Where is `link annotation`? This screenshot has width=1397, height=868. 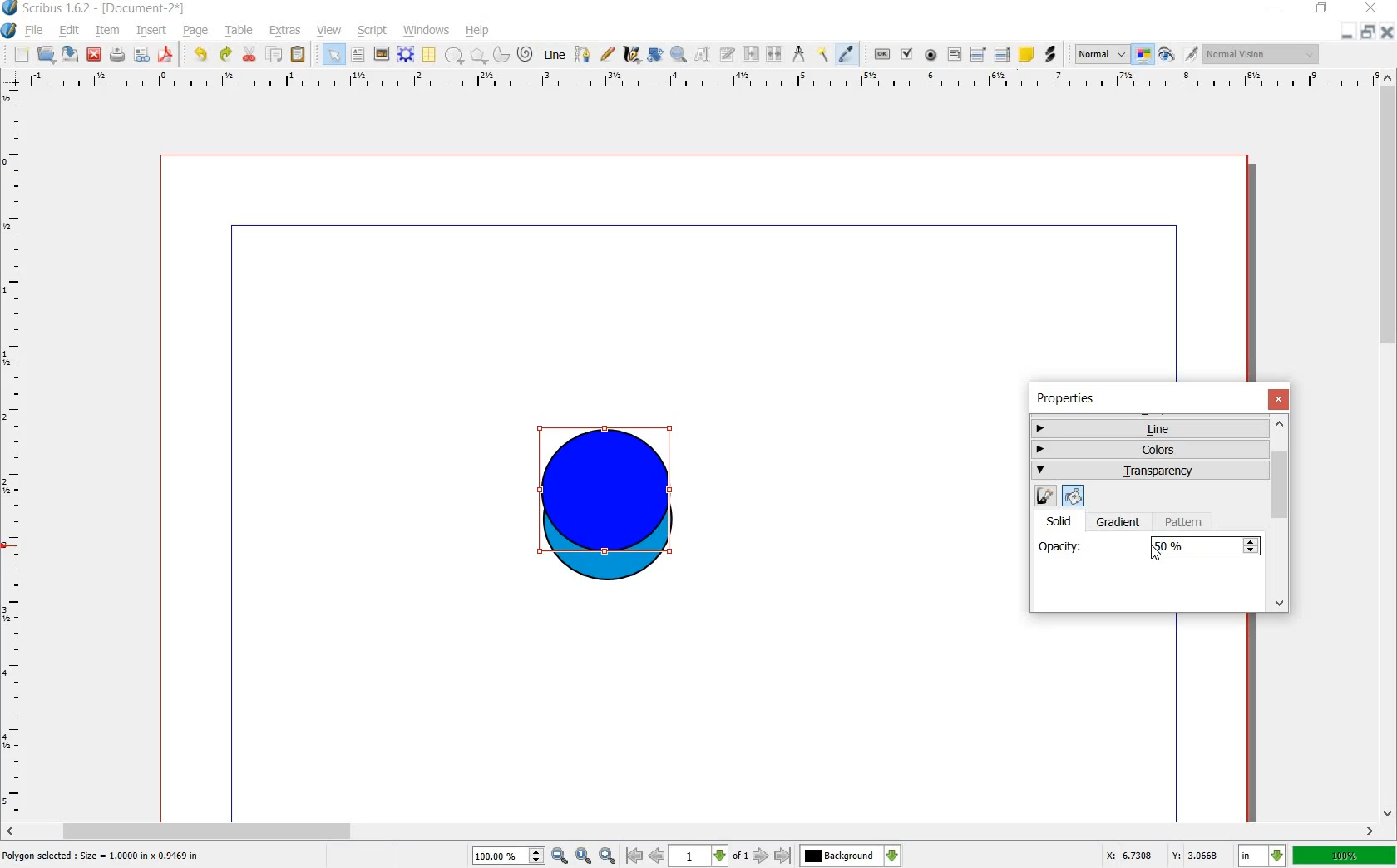
link annotation is located at coordinates (1050, 53).